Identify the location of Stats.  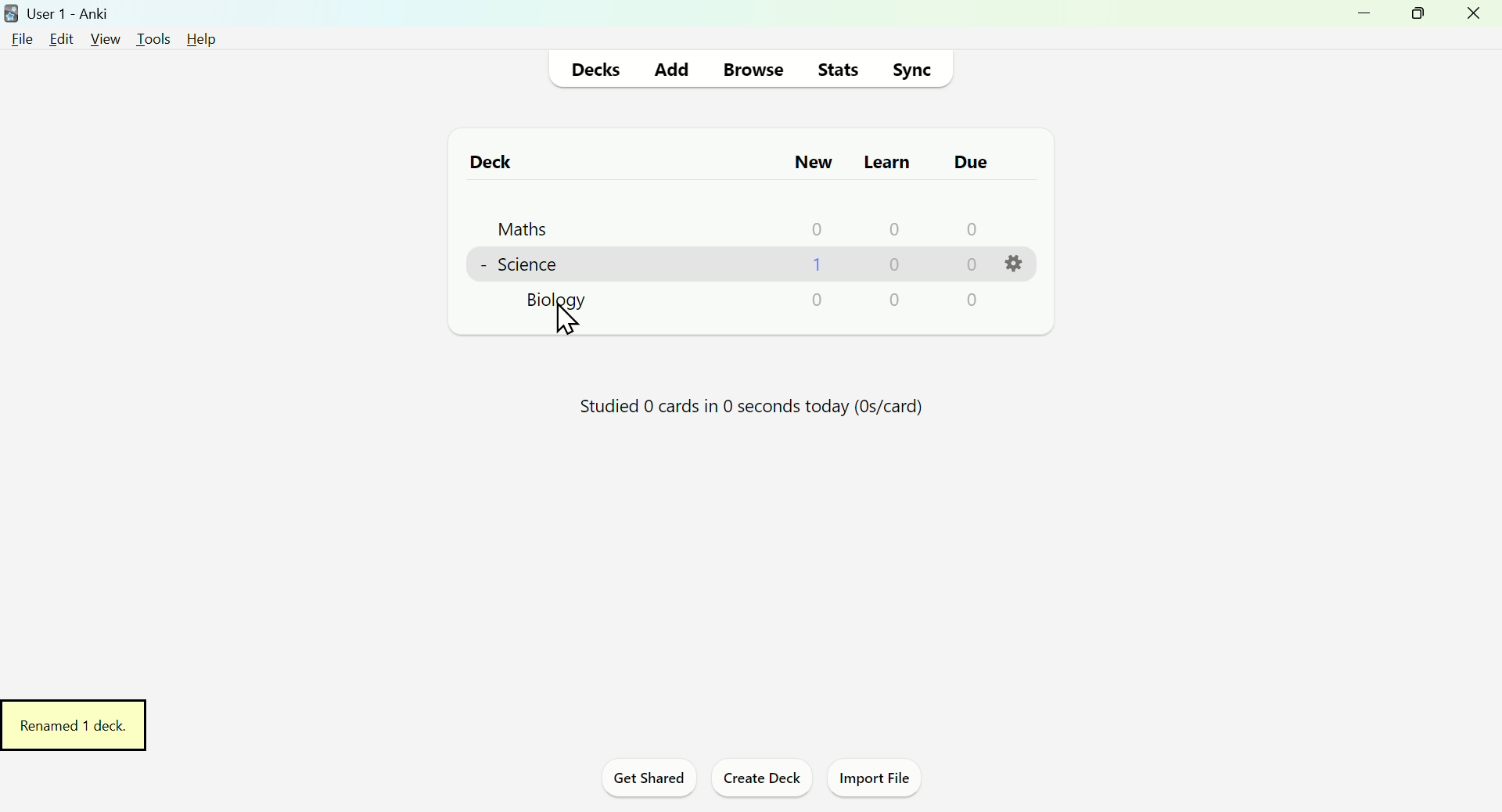
(839, 68).